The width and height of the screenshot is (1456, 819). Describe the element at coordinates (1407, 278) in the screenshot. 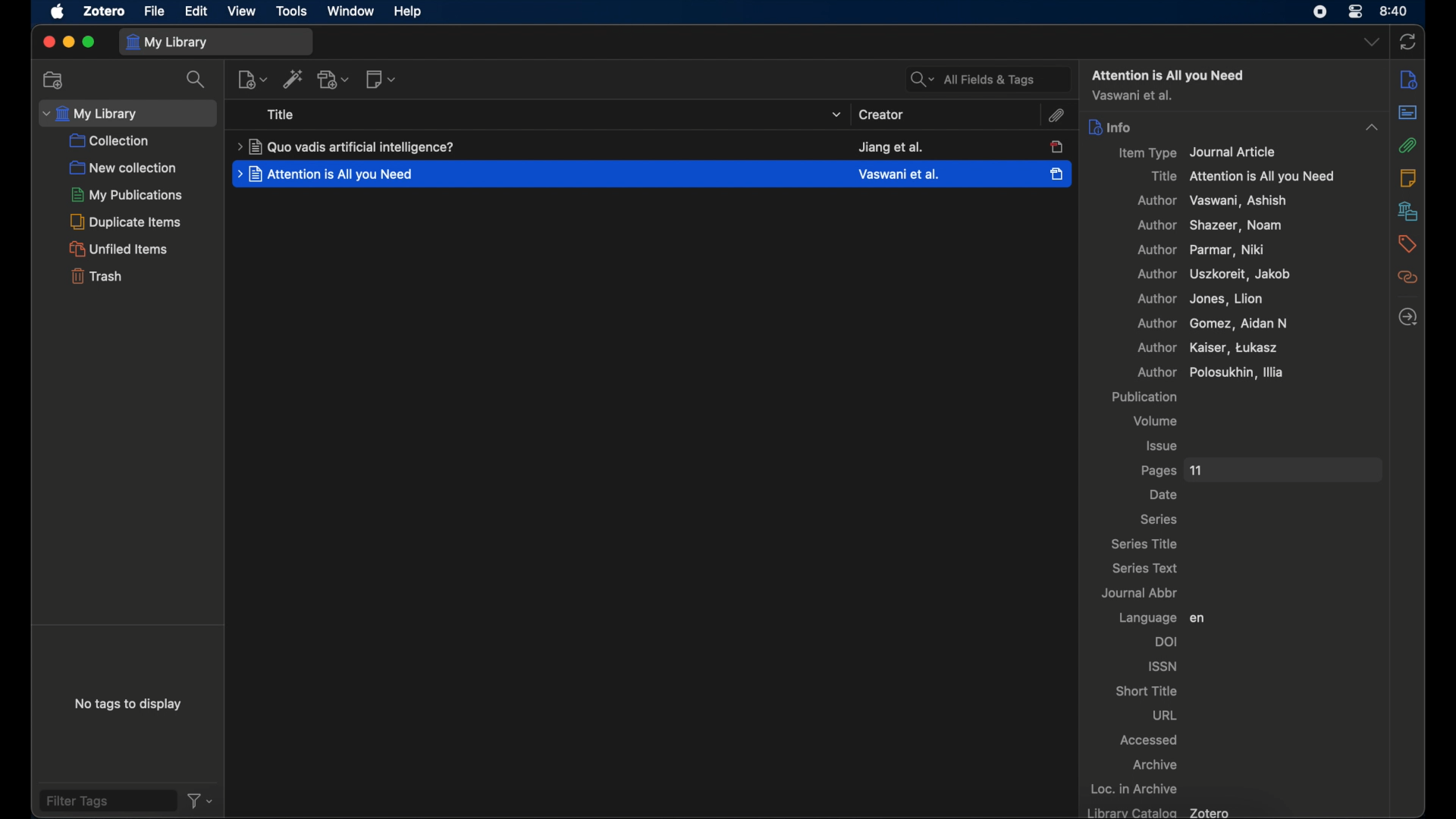

I see `related` at that location.